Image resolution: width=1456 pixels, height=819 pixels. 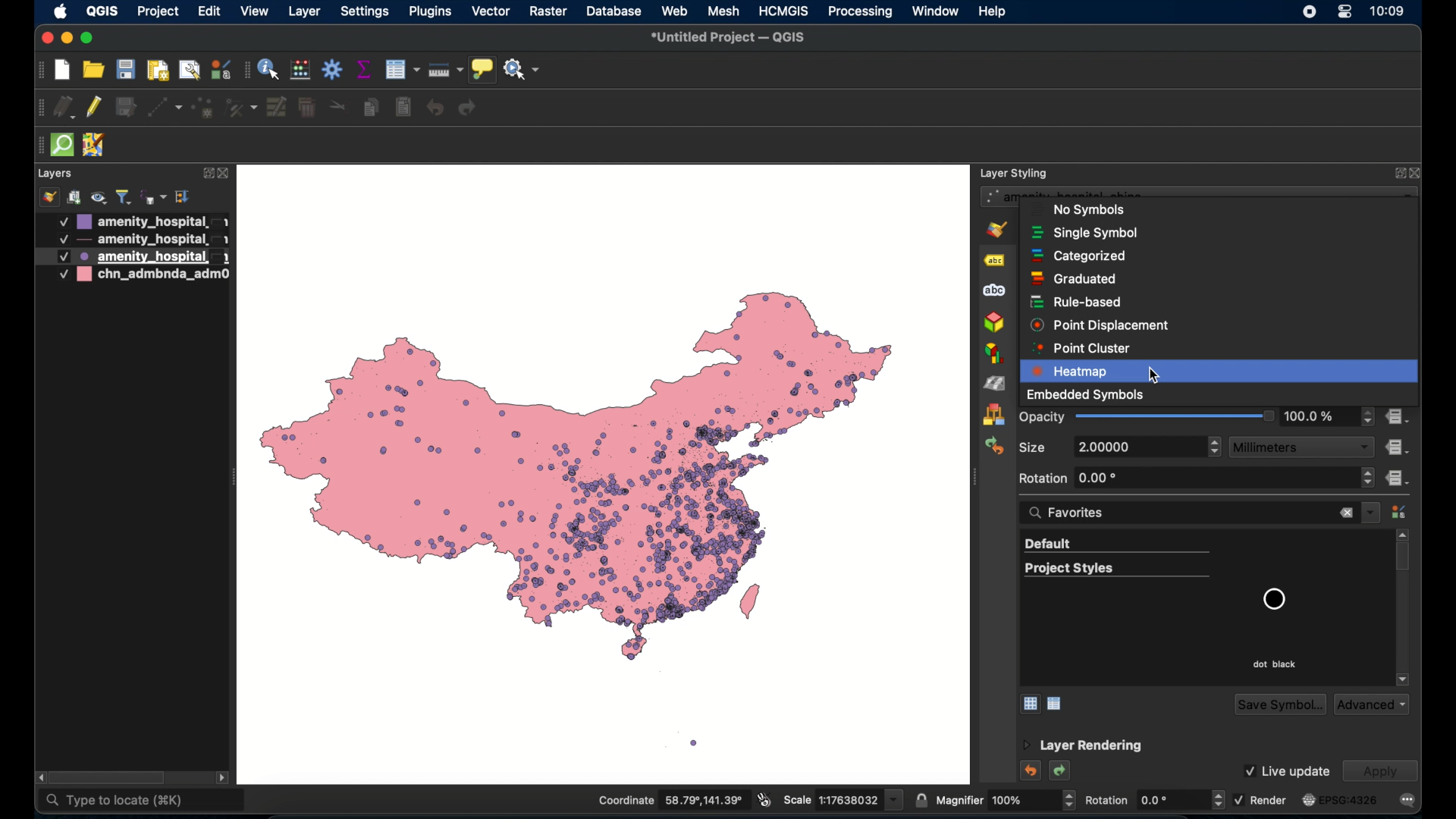 I want to click on untitled project - QGIS, so click(x=725, y=39).